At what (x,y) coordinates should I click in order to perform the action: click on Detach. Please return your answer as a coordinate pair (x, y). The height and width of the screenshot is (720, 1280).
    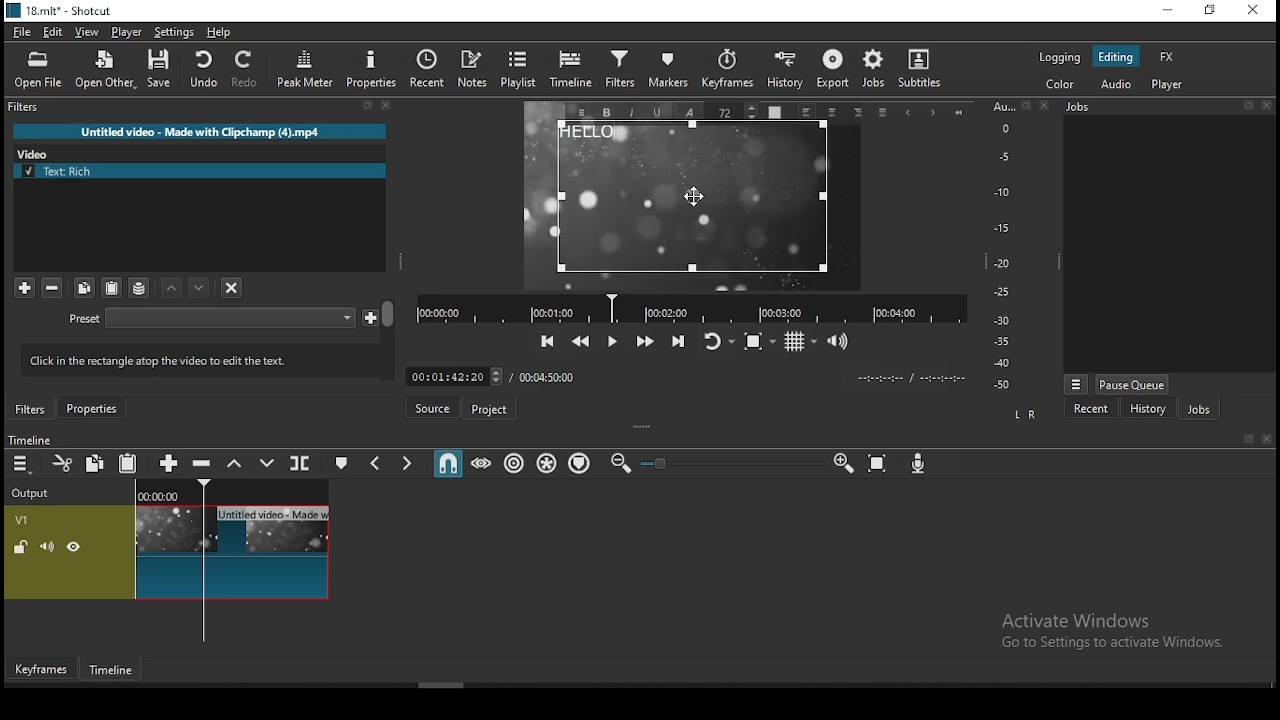
    Looking at the image, I should click on (368, 106).